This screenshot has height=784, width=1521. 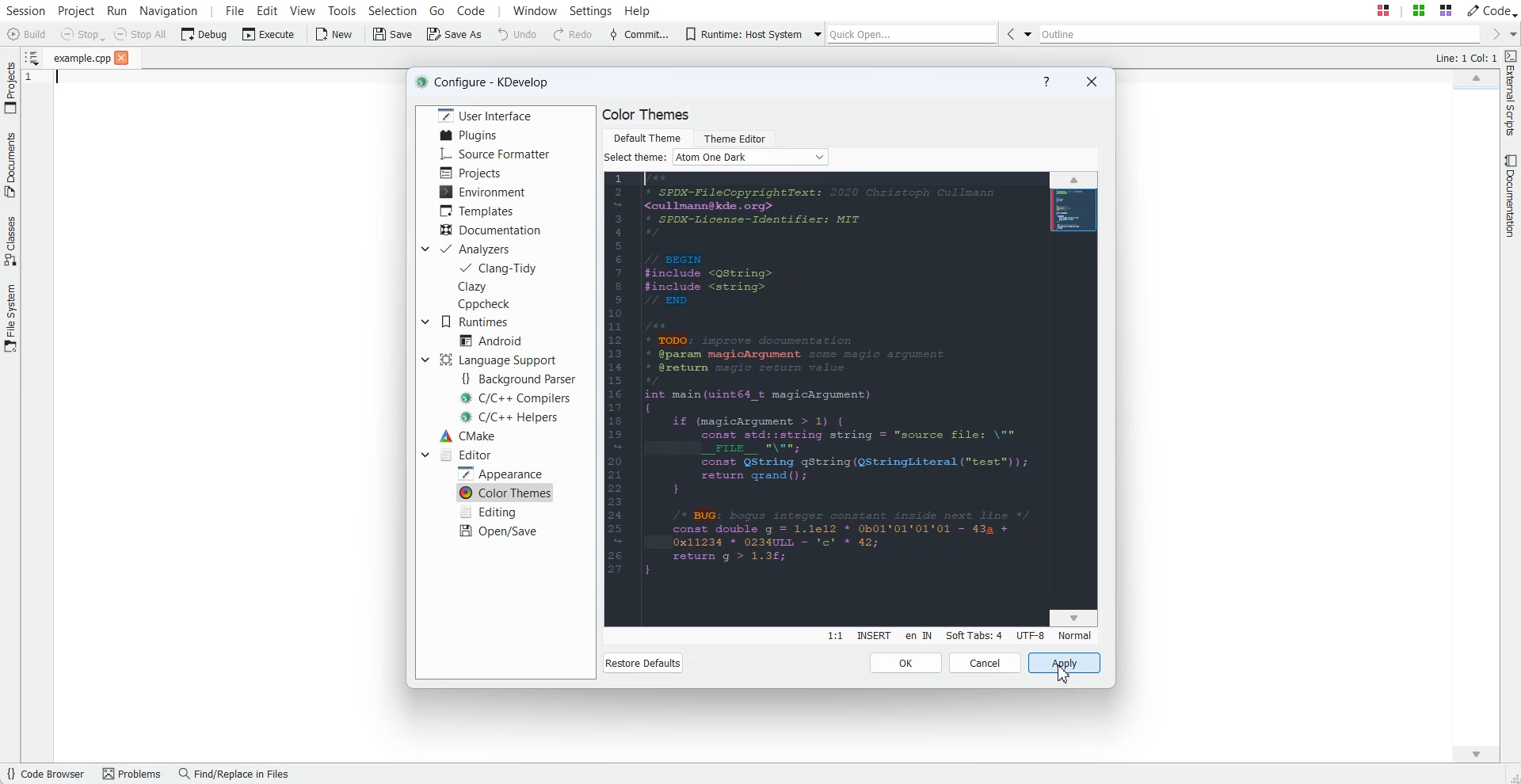 I want to click on Save As, so click(x=454, y=35).